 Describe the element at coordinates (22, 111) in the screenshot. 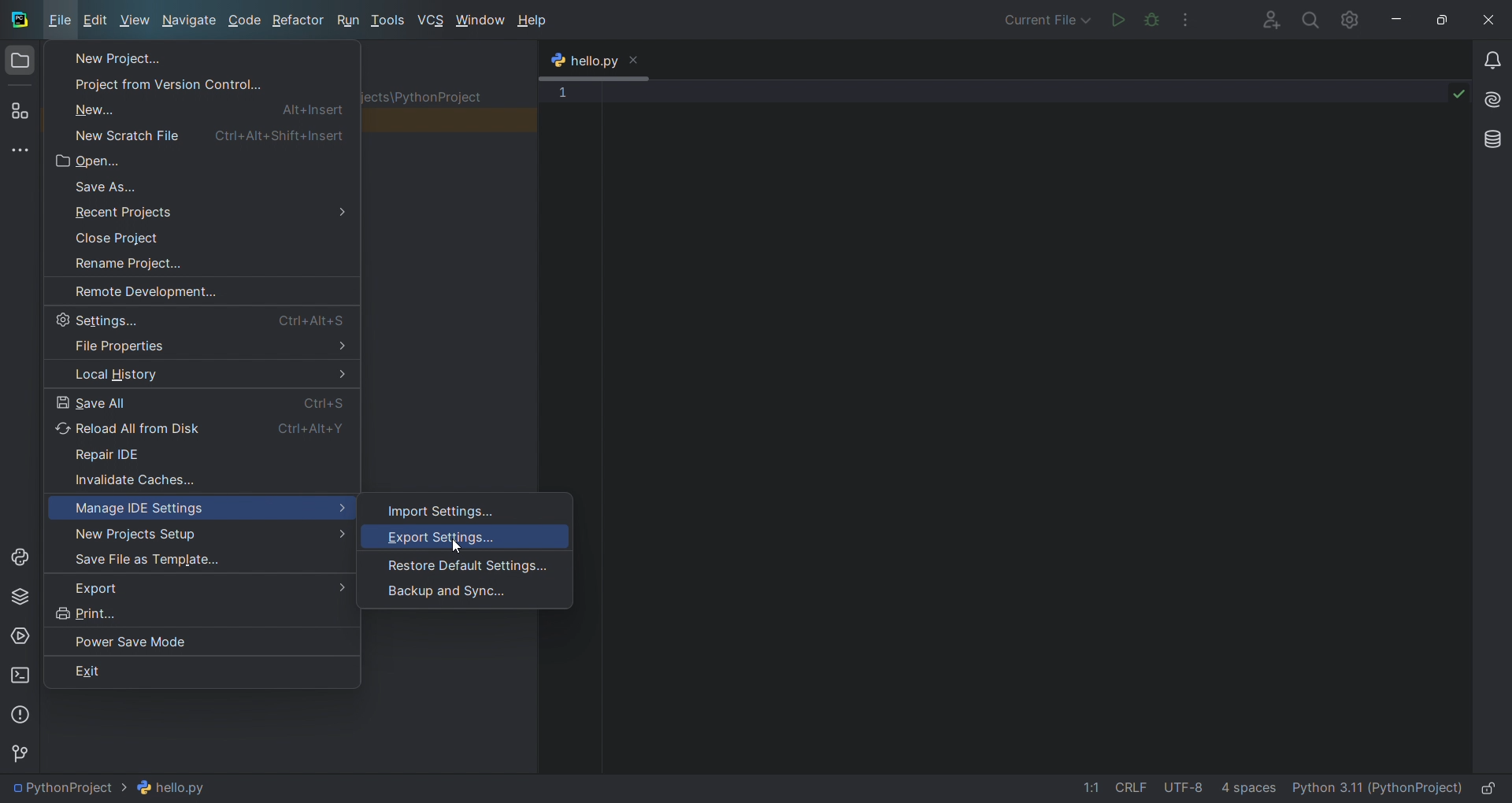

I see `structure` at that location.